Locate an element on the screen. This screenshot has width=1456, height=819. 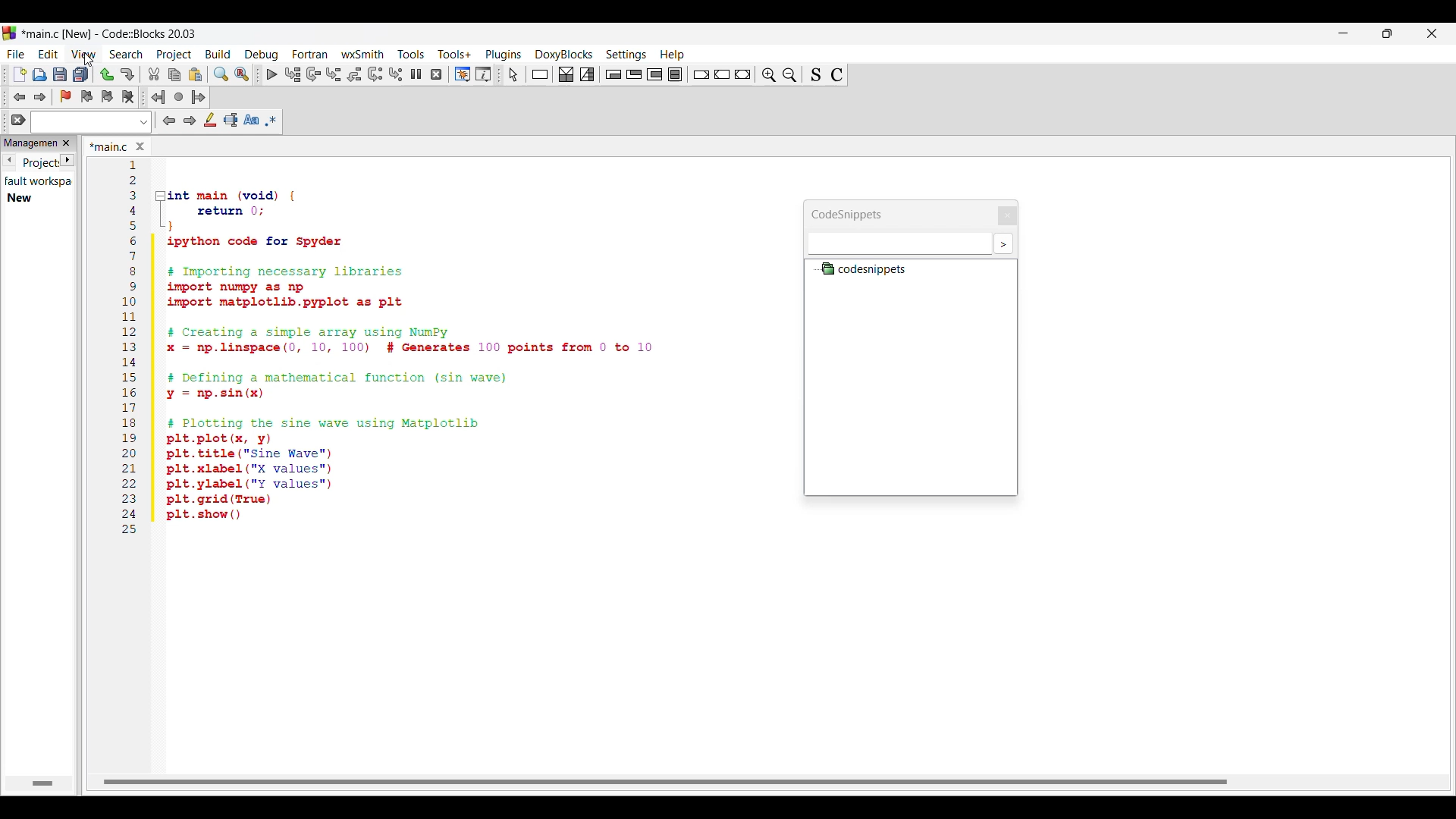
Return instruction is located at coordinates (742, 74).